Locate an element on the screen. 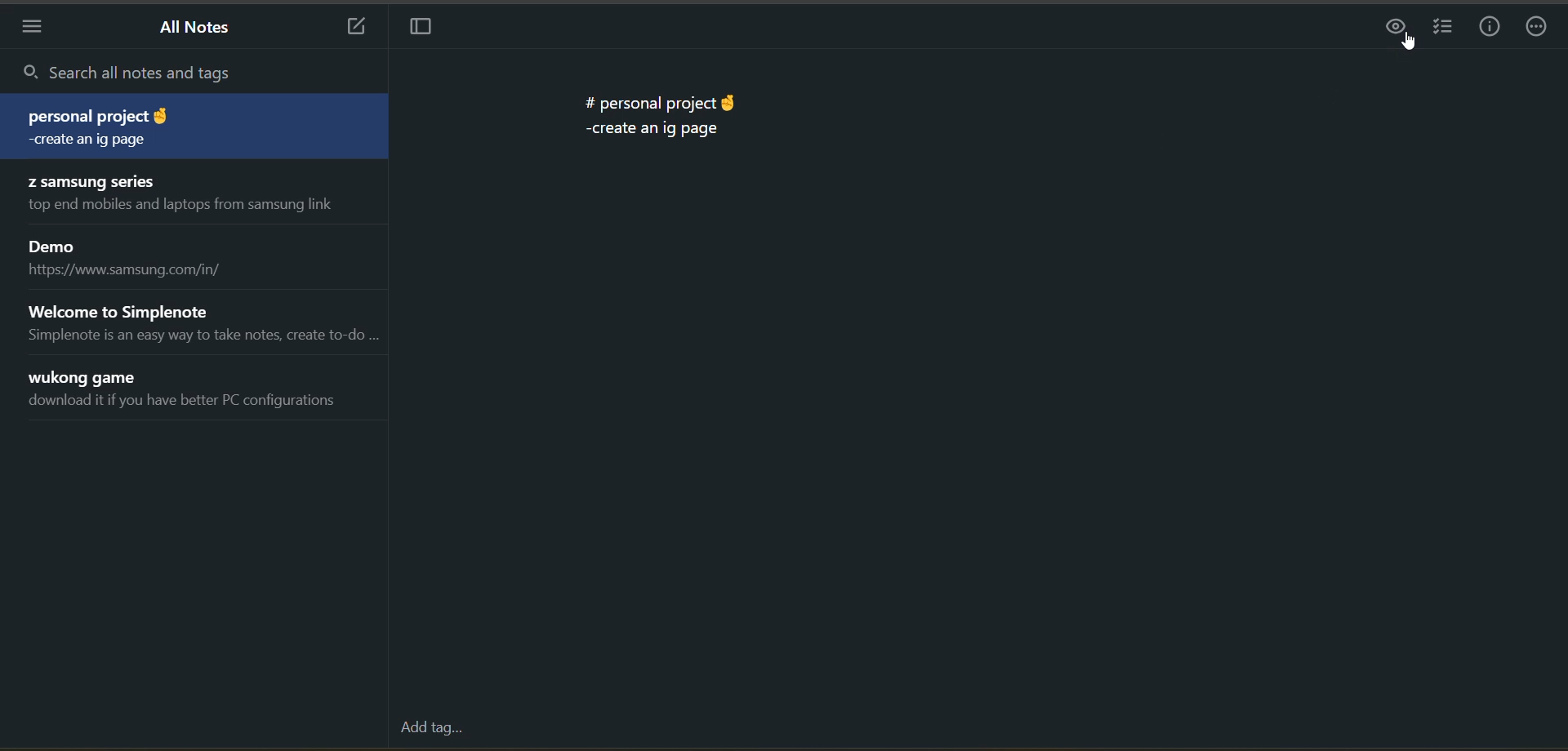 Image resolution: width=1568 pixels, height=751 pixels. all notes is located at coordinates (195, 29).